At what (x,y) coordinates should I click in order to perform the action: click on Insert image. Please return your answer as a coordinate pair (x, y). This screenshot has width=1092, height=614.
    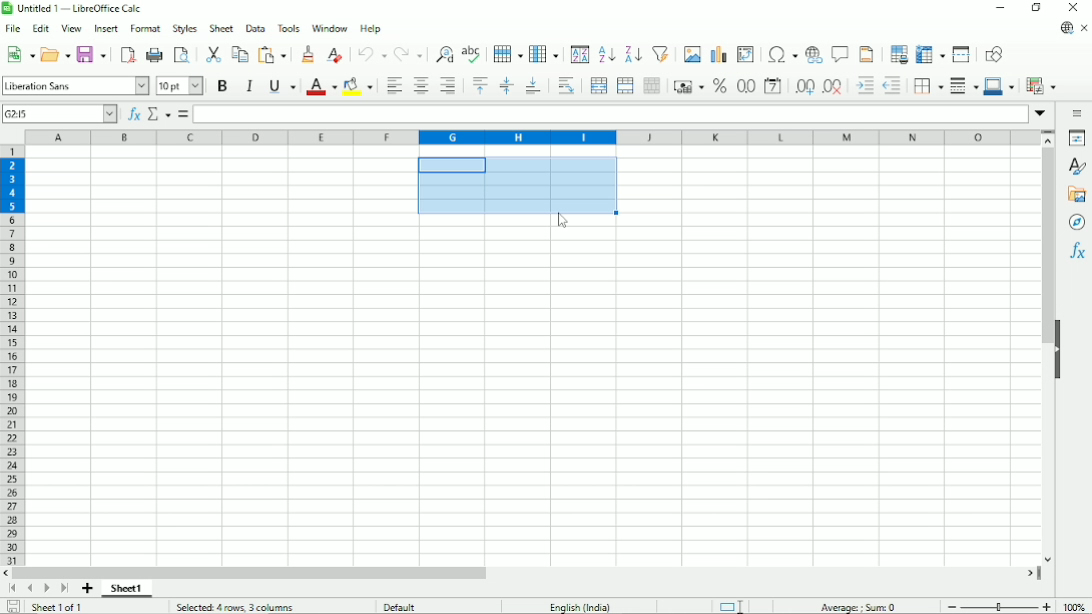
    Looking at the image, I should click on (691, 53).